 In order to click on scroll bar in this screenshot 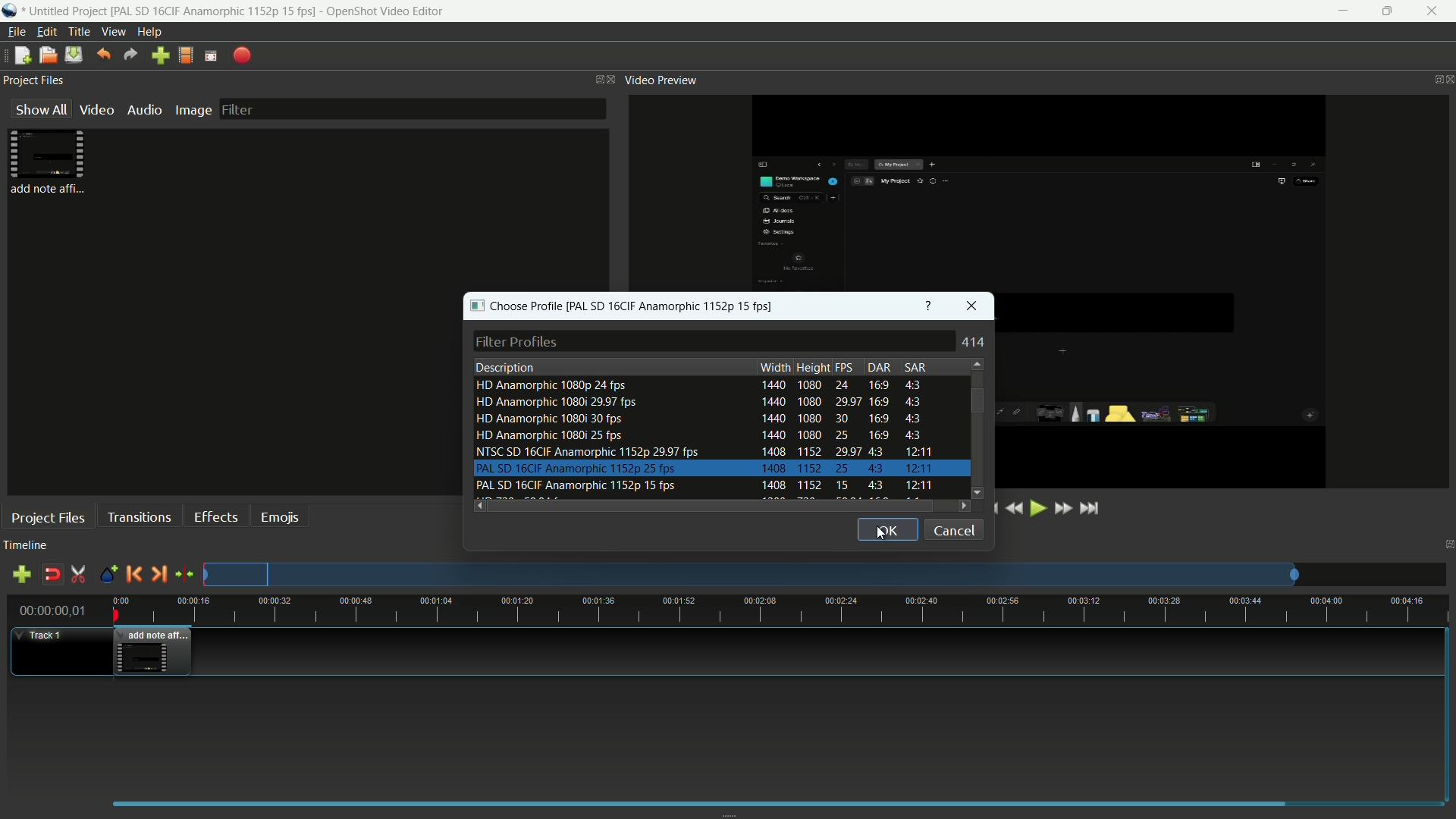, I will do `click(974, 400)`.